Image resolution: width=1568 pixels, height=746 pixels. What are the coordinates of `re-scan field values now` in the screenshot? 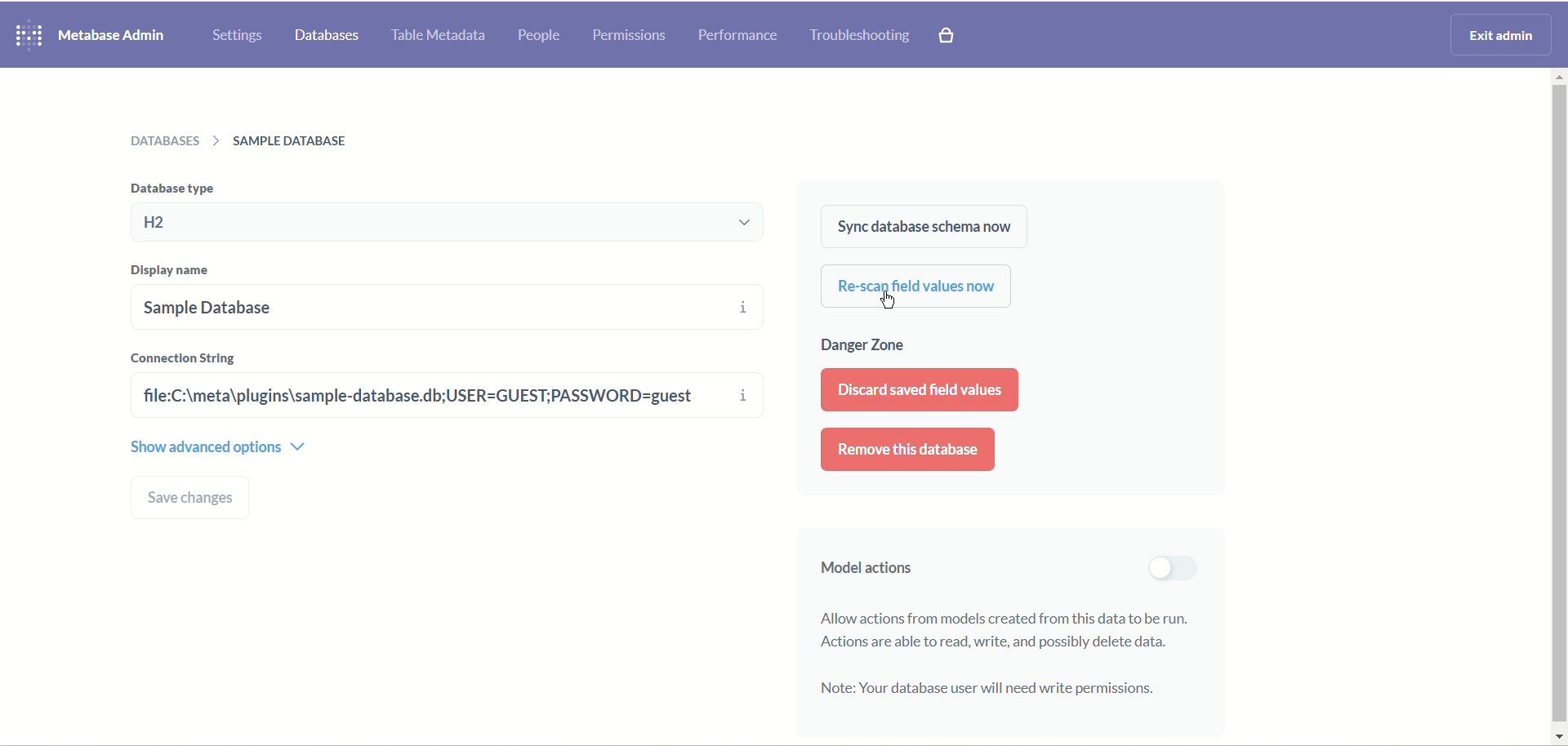 It's located at (917, 287).